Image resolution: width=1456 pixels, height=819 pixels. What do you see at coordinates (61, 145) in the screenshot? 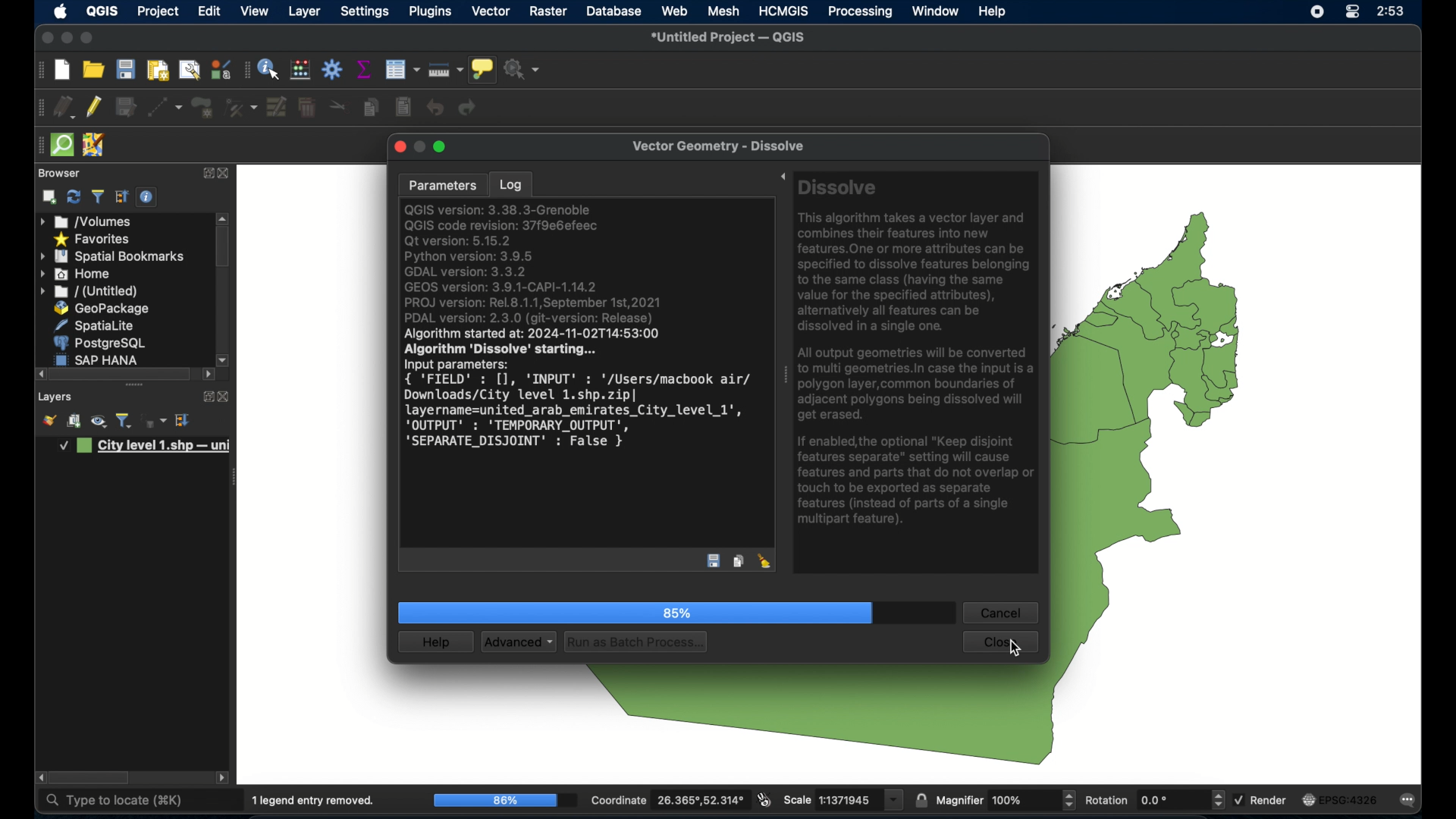
I see `quick osm` at bounding box center [61, 145].